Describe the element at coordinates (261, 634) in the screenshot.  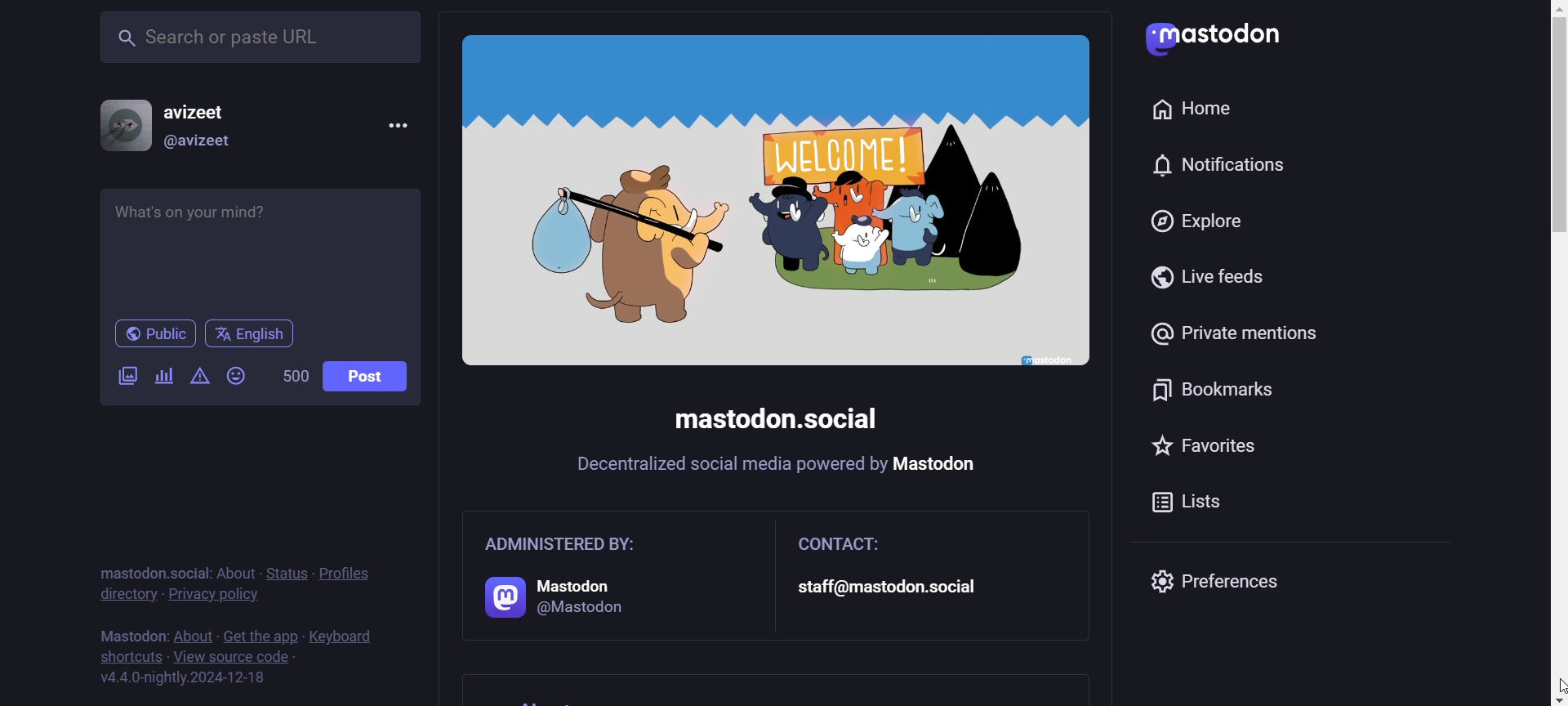
I see `get the app` at that location.